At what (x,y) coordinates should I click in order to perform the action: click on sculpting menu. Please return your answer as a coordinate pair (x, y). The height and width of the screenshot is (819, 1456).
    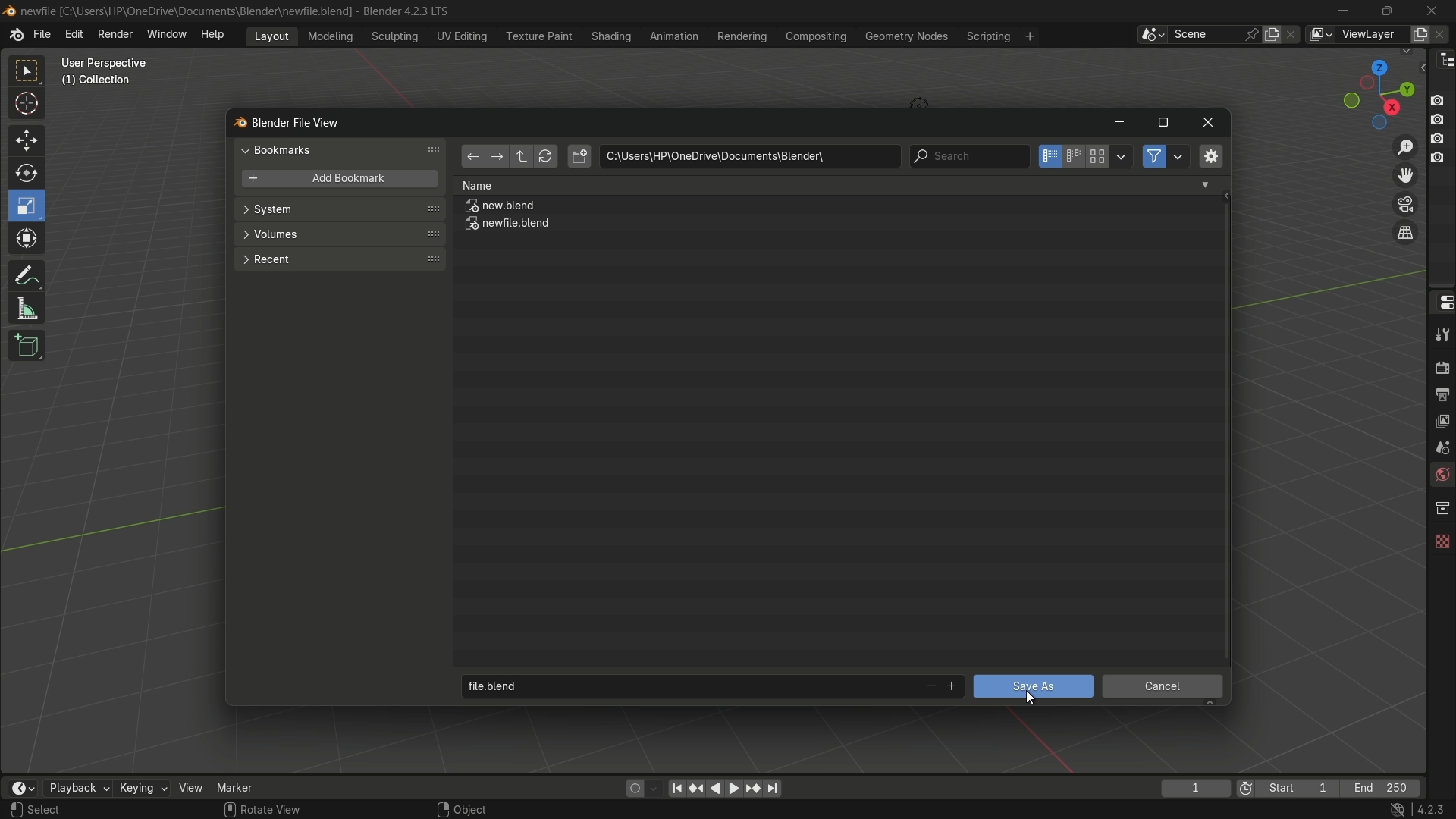
    Looking at the image, I should click on (391, 36).